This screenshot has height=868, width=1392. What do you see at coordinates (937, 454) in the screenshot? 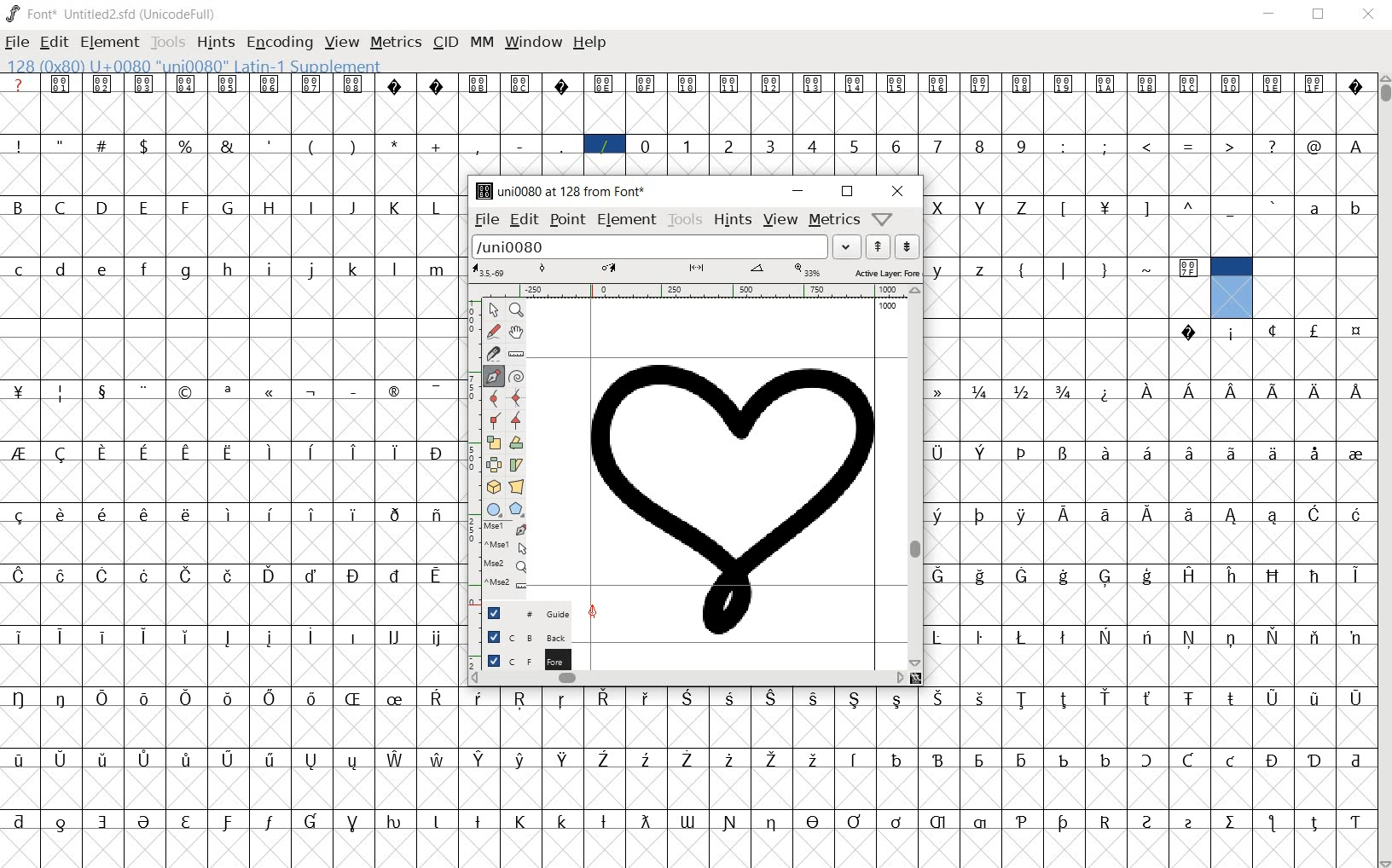
I see `glyph` at bounding box center [937, 454].